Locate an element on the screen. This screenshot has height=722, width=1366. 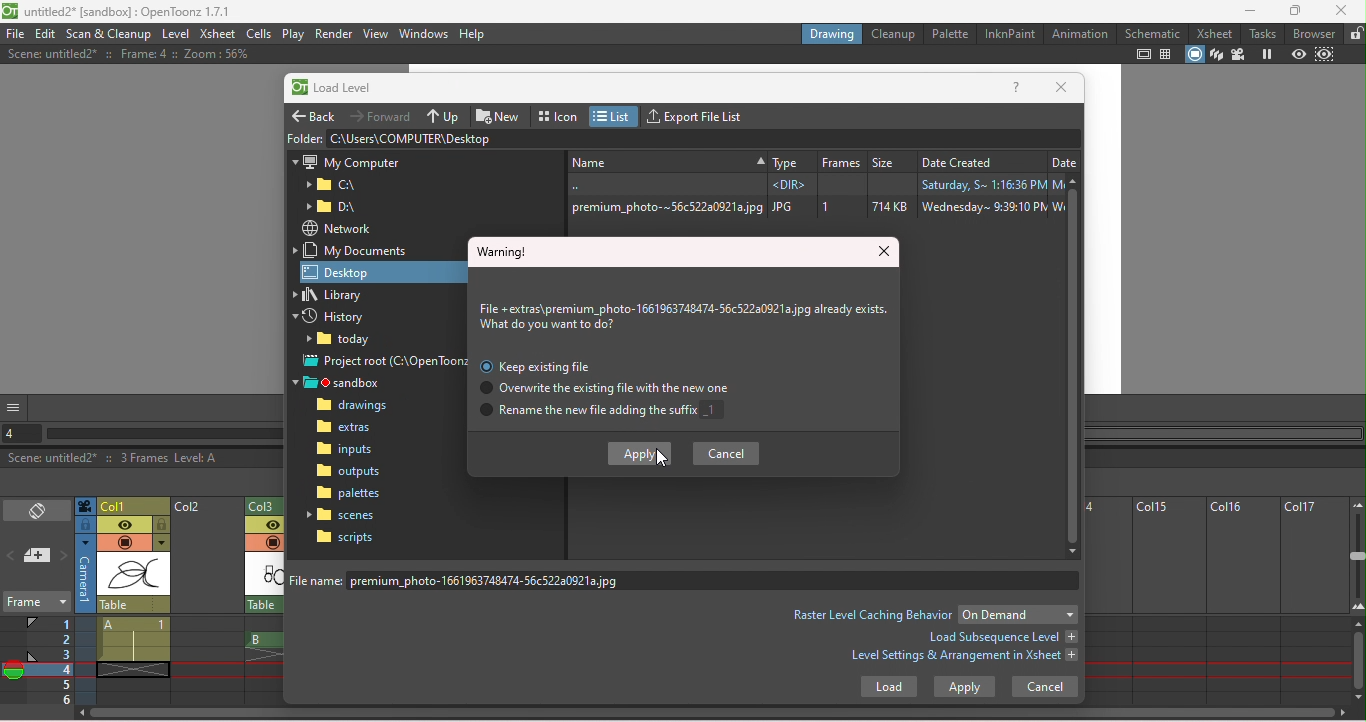
Rename the new file adding the suffix is located at coordinates (604, 413).